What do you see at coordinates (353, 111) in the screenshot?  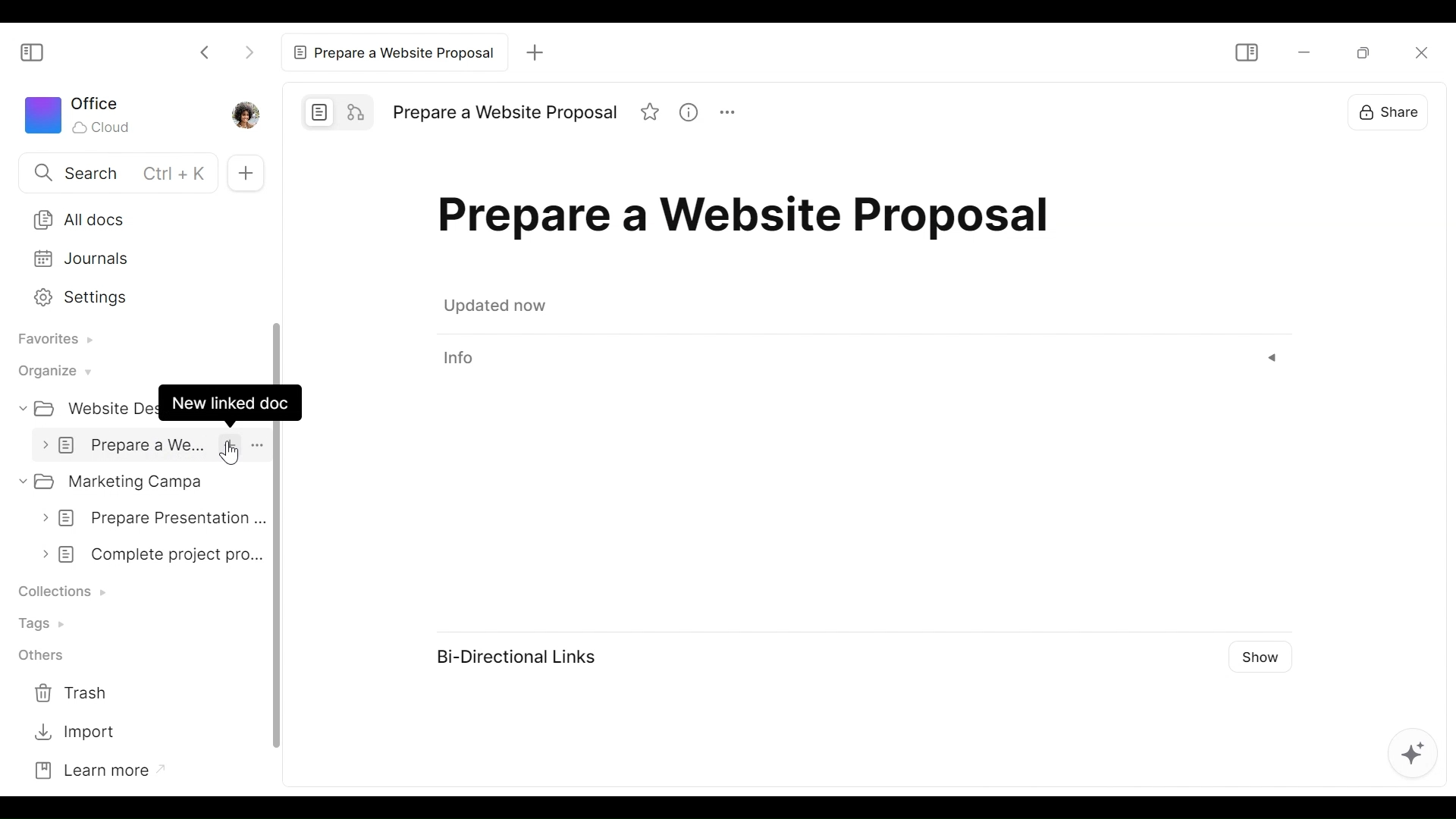 I see `Edgeless mode` at bounding box center [353, 111].